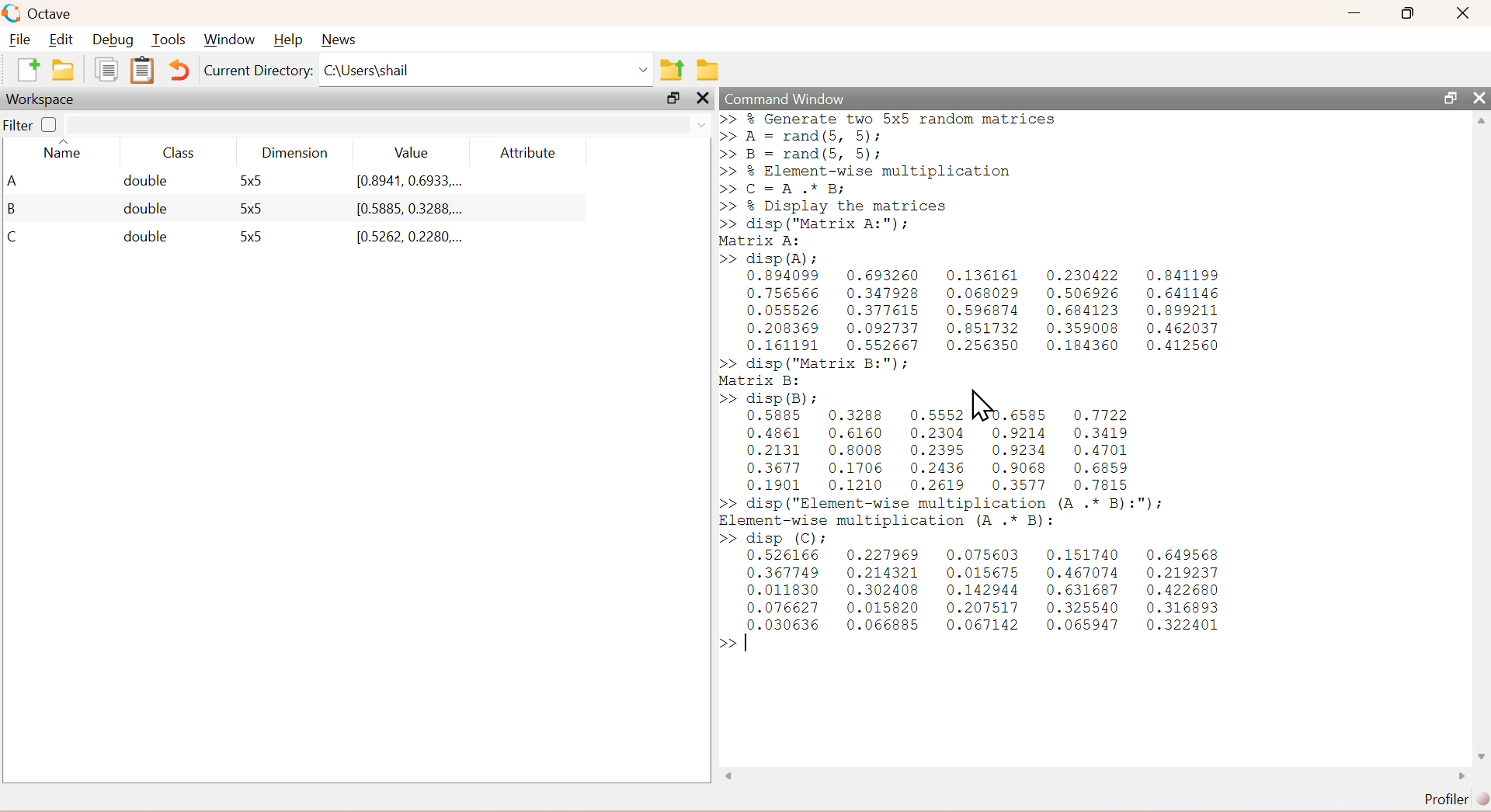  I want to click on Copy, so click(106, 75).